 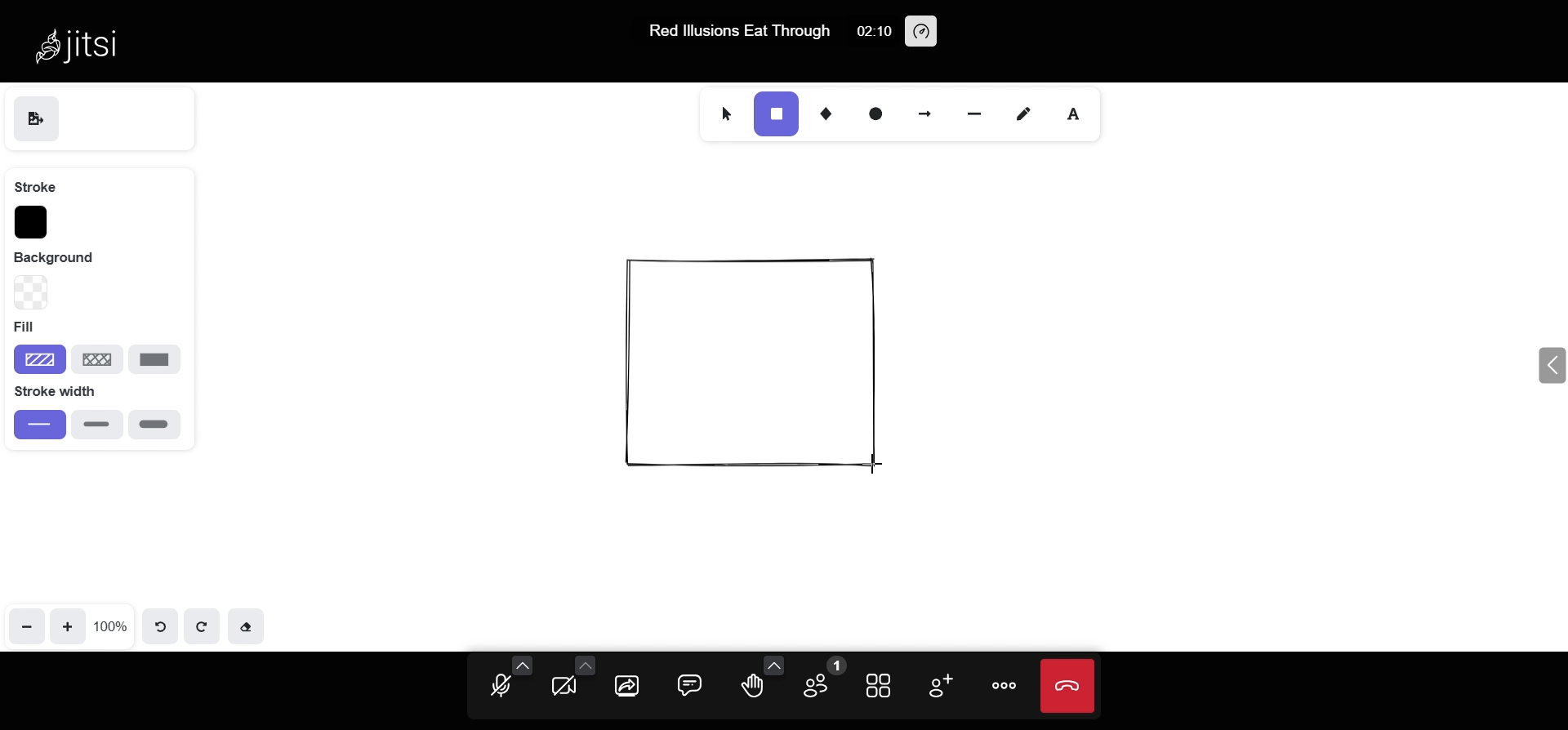 What do you see at coordinates (98, 357) in the screenshot?
I see `cross hatch` at bounding box center [98, 357].